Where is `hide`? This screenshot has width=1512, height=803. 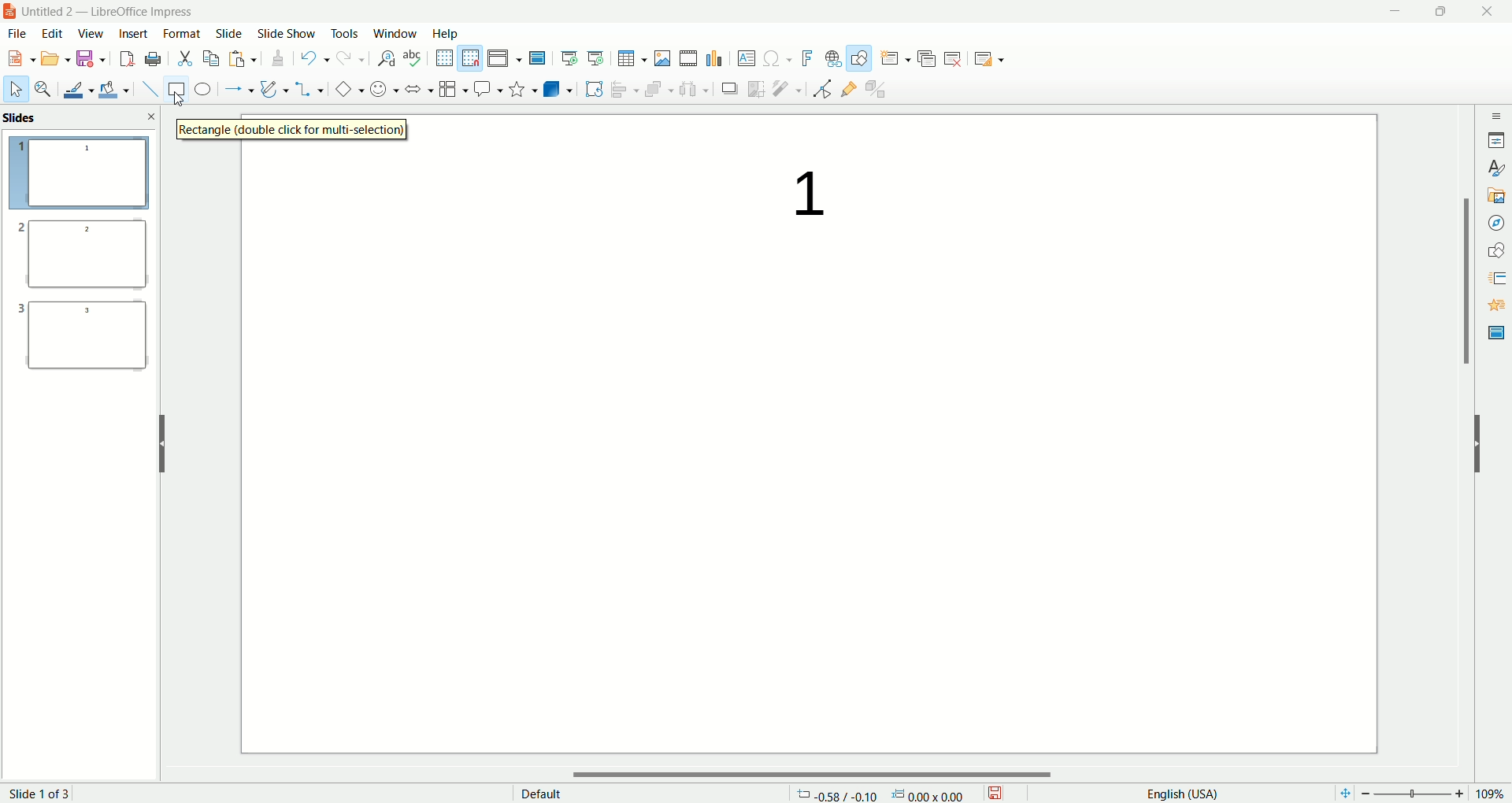 hide is located at coordinates (1485, 448).